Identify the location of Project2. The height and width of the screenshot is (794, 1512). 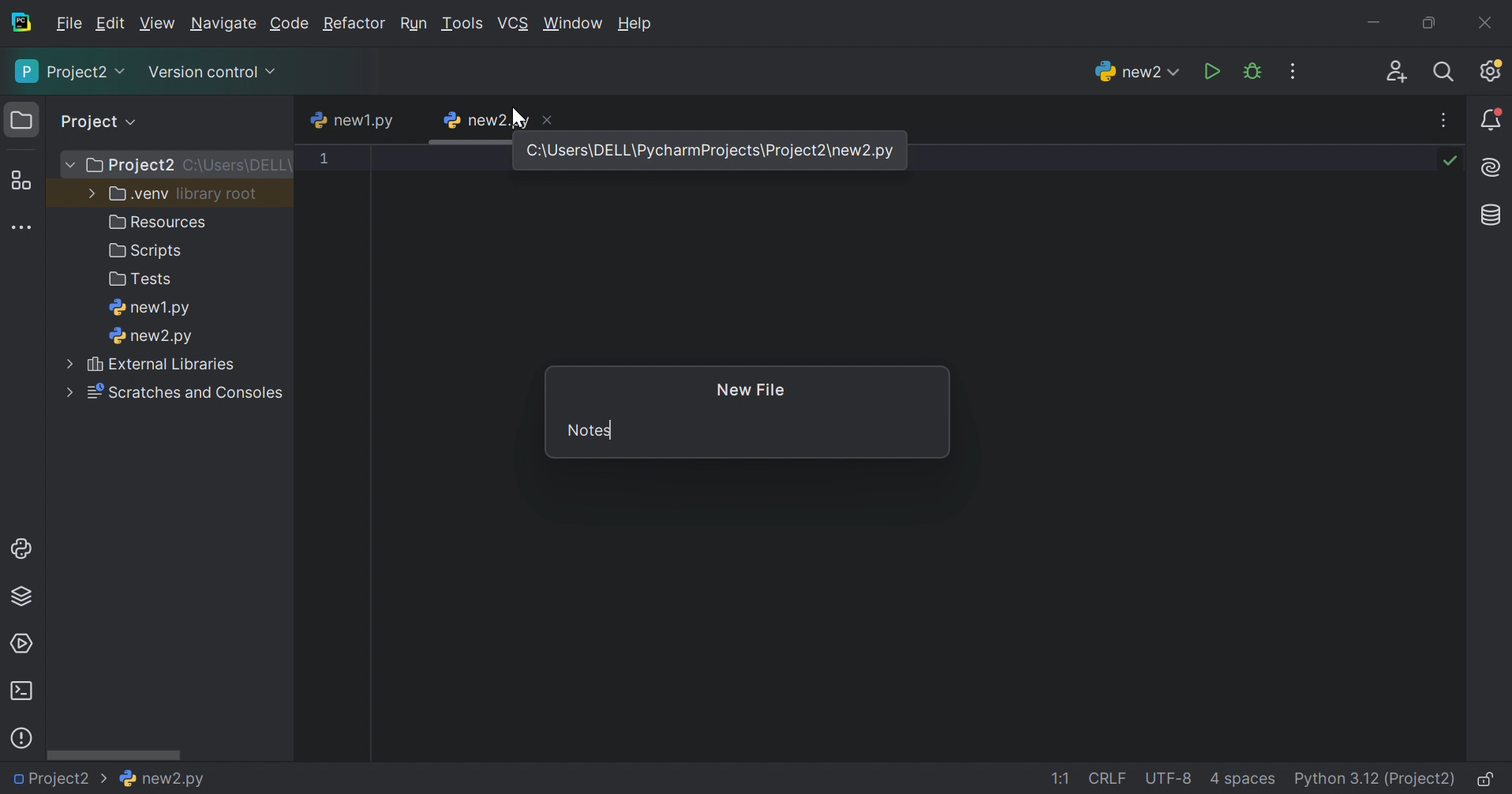
(70, 72).